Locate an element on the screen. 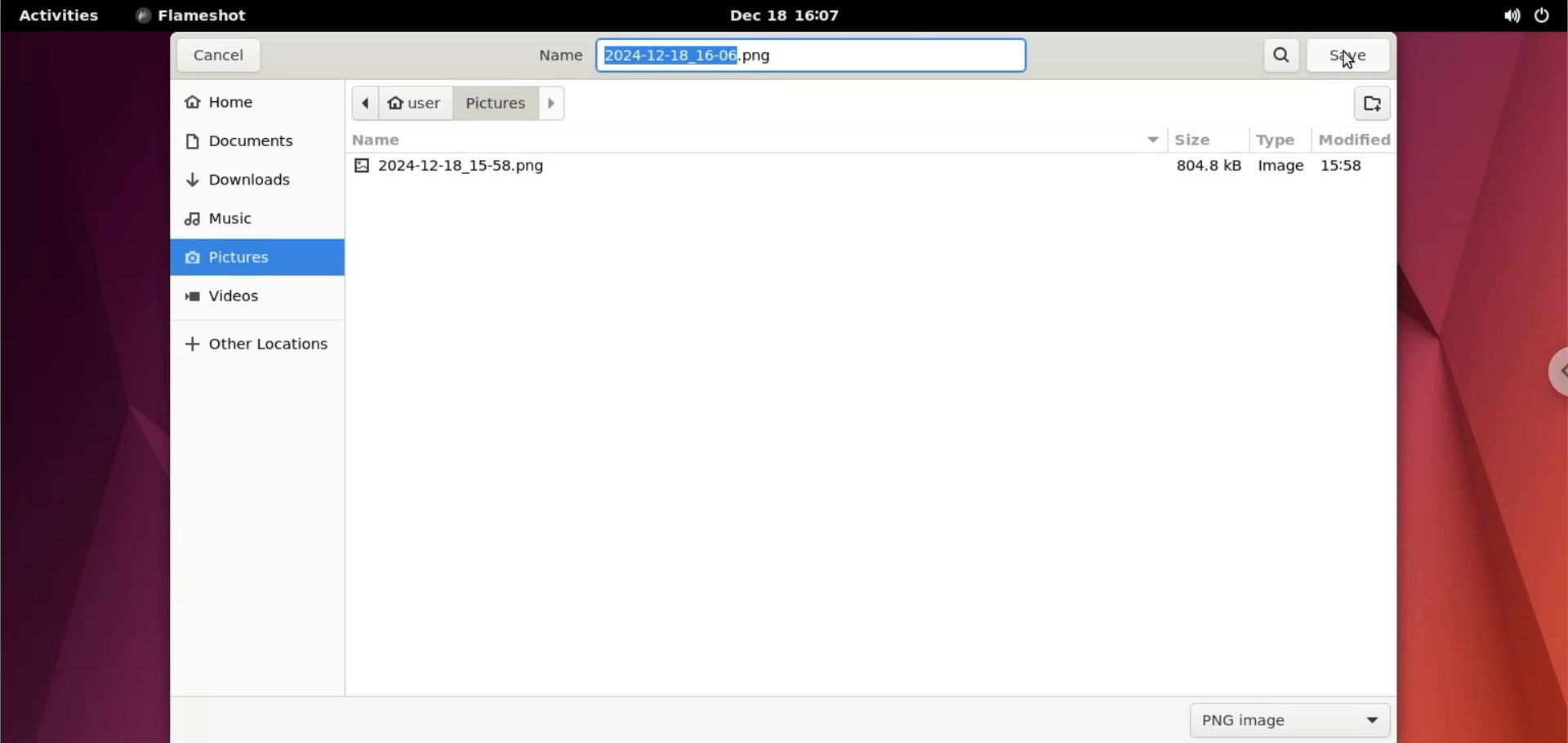 Image resolution: width=1568 pixels, height=743 pixels. name label is located at coordinates (561, 56).